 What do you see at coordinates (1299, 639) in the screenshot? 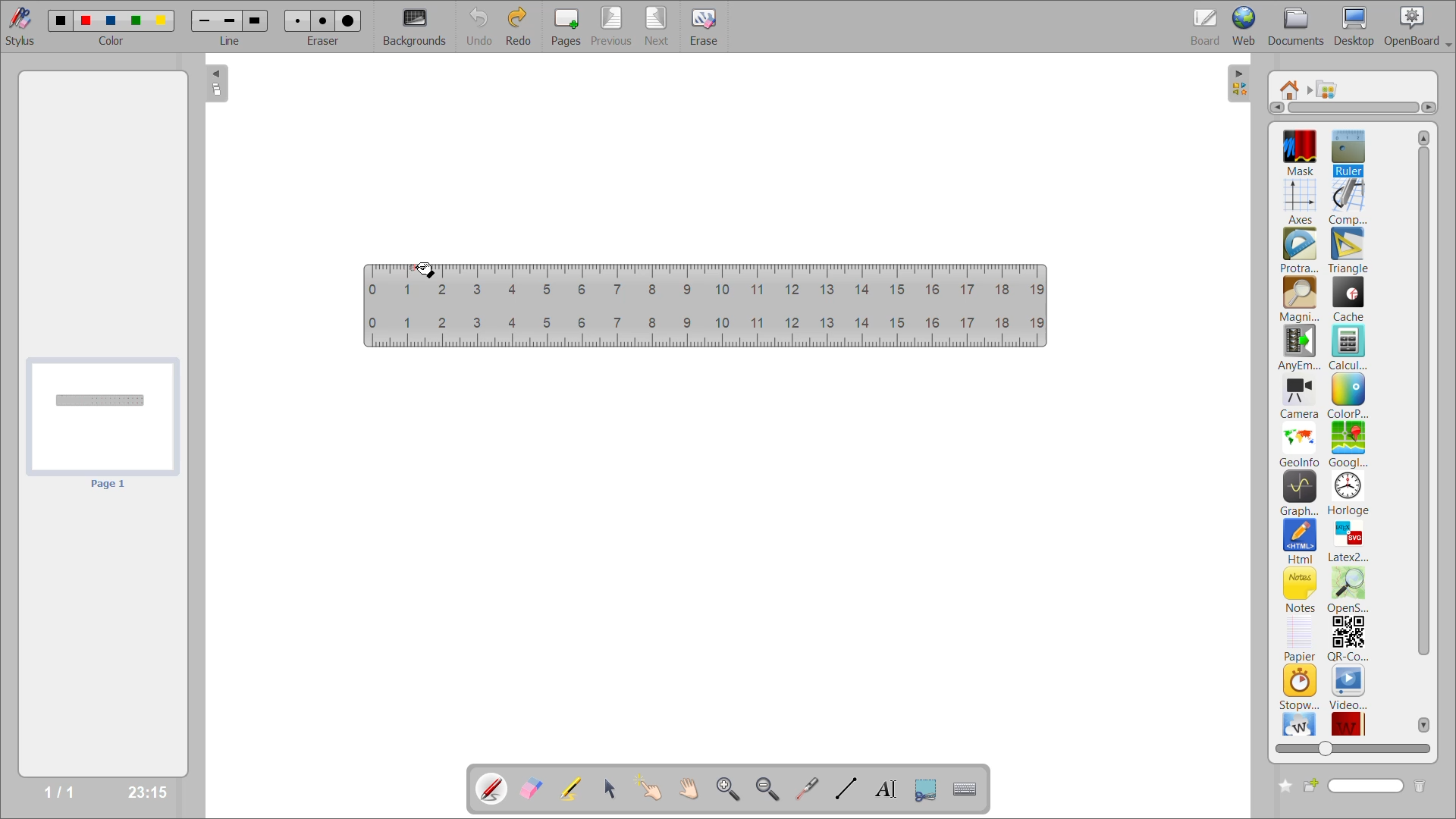
I see `papier` at bounding box center [1299, 639].